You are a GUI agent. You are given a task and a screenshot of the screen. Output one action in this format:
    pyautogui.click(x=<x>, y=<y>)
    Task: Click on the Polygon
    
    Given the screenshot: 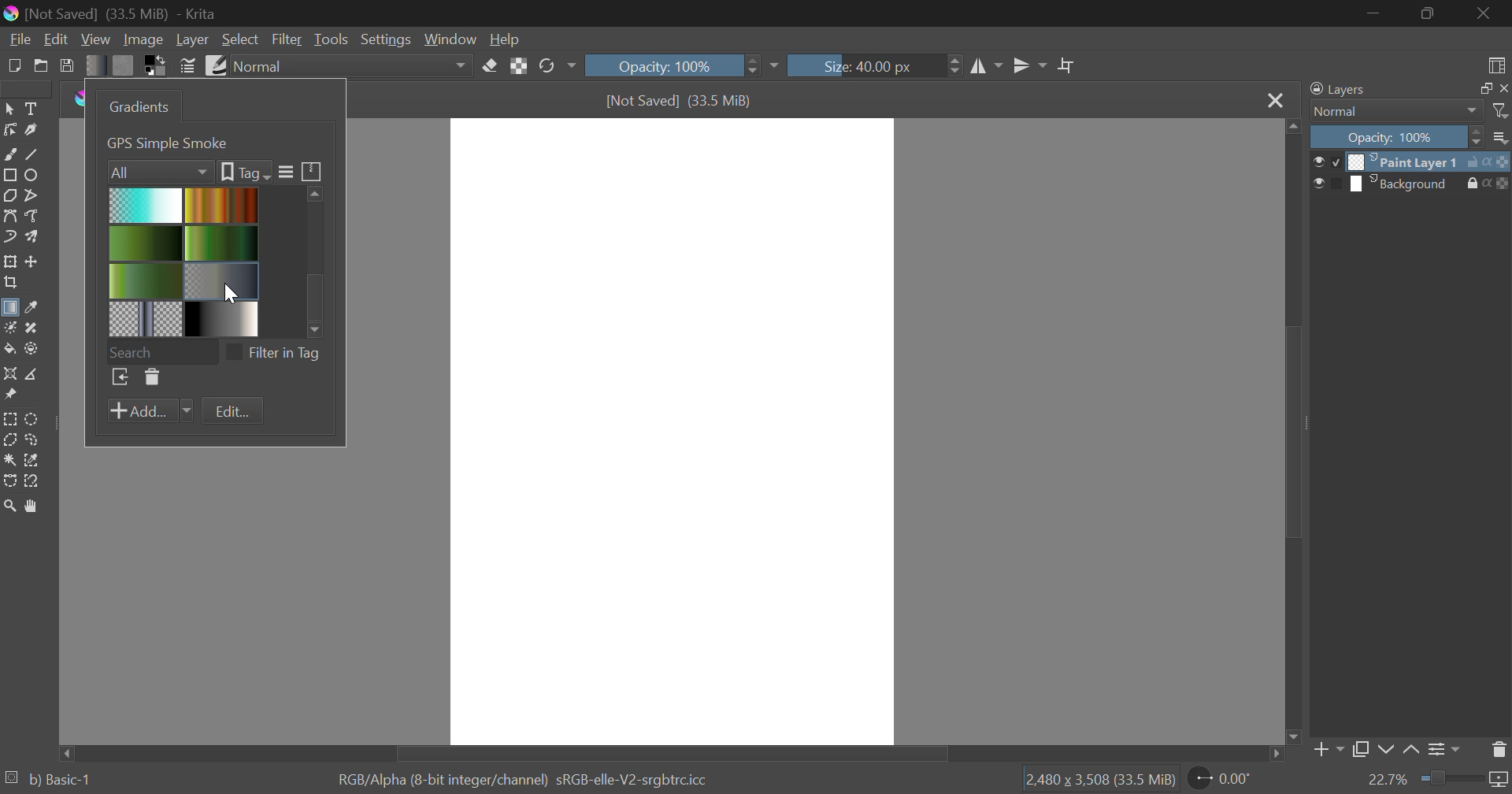 What is the action you would take?
    pyautogui.click(x=9, y=195)
    